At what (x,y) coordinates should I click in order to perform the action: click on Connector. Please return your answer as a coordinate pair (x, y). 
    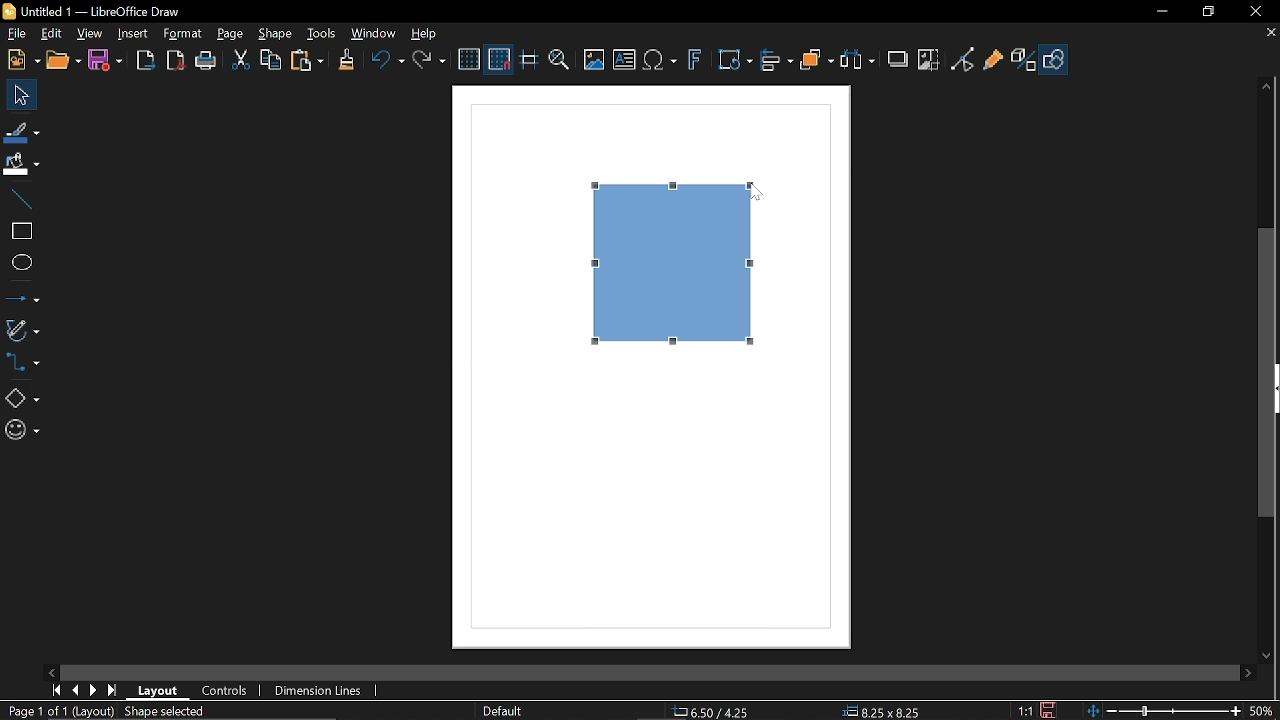
    Looking at the image, I should click on (26, 365).